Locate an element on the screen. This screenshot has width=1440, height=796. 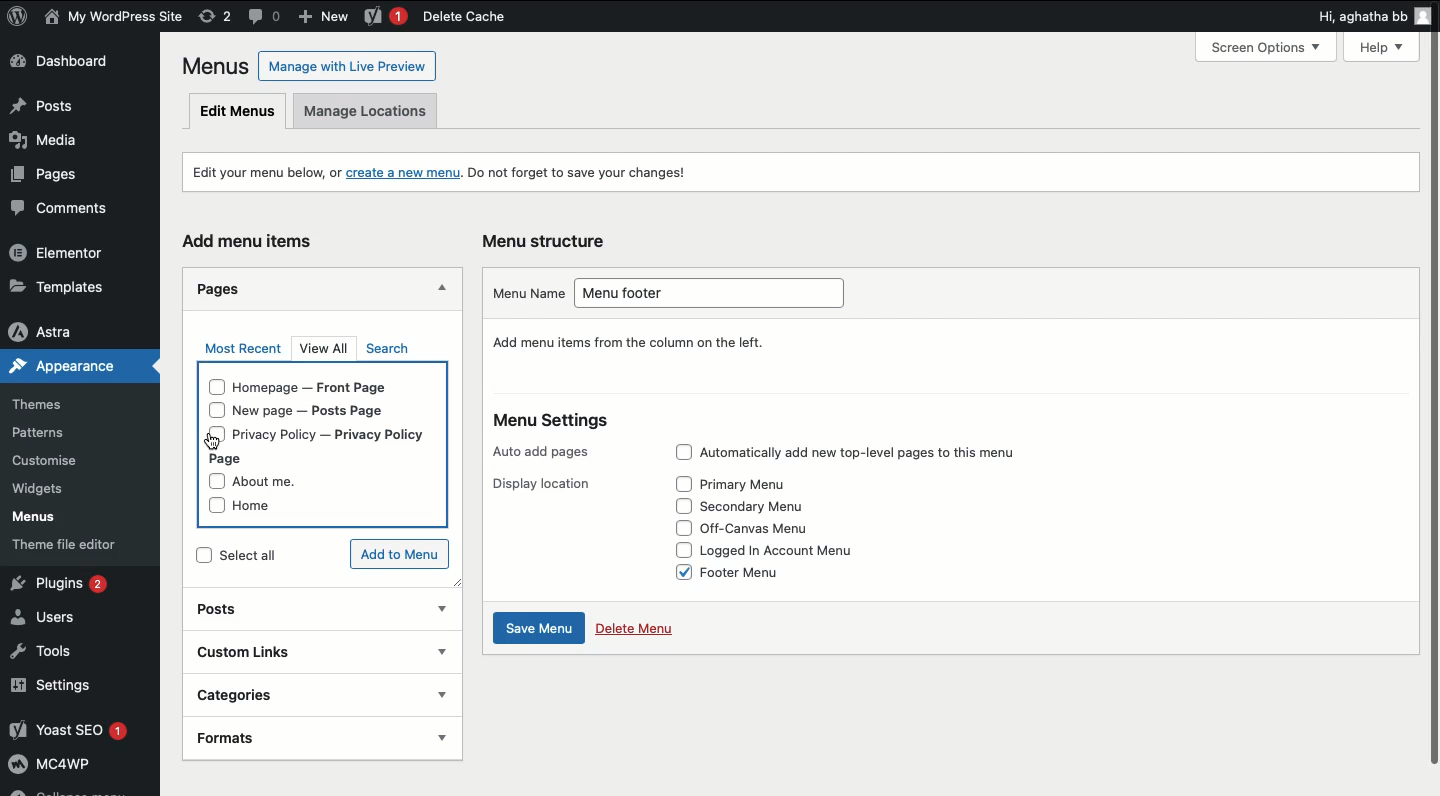
Plugins 2 is located at coordinates (75, 584).